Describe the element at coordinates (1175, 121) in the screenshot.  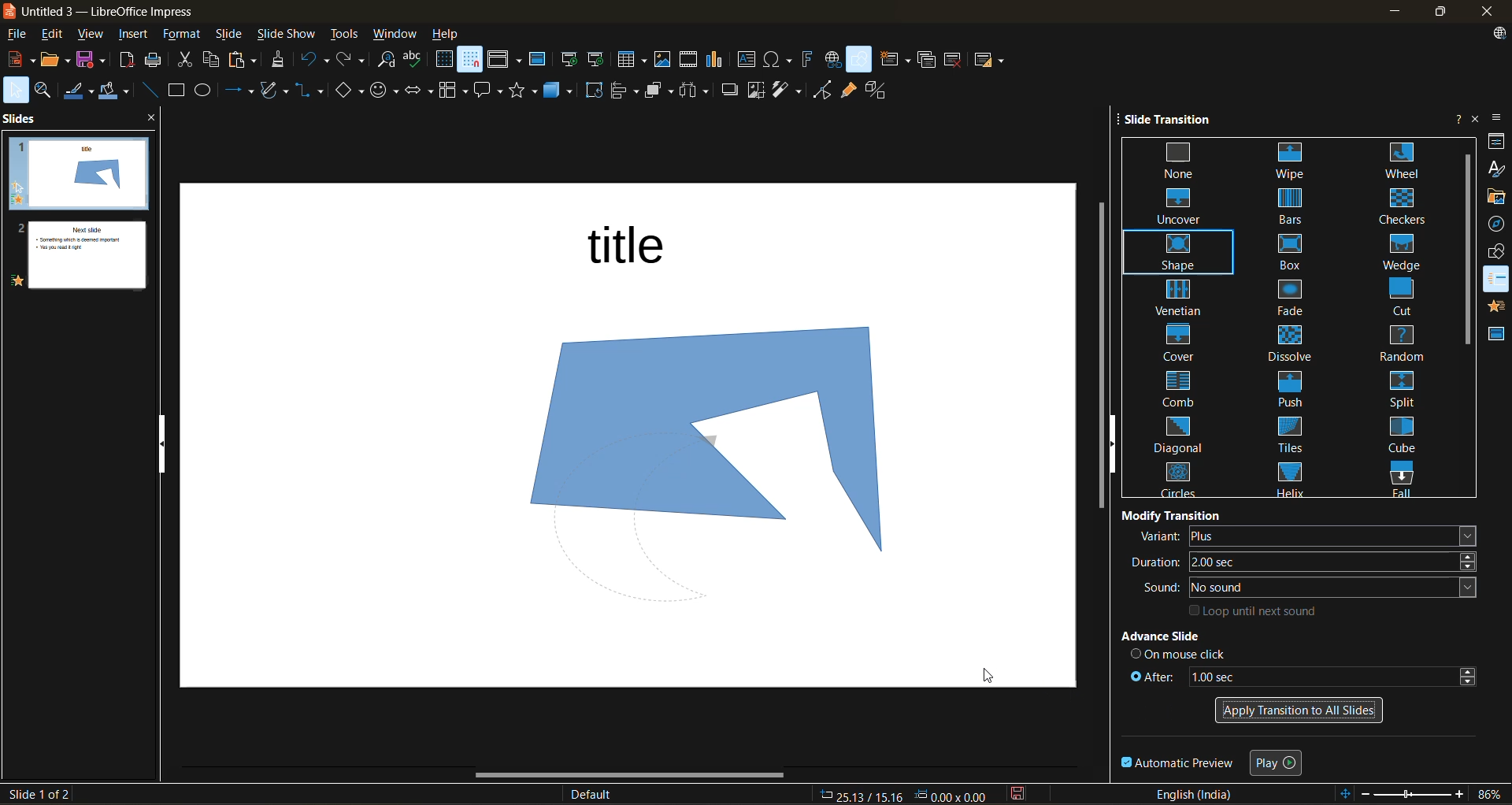
I see `slide transition` at that location.